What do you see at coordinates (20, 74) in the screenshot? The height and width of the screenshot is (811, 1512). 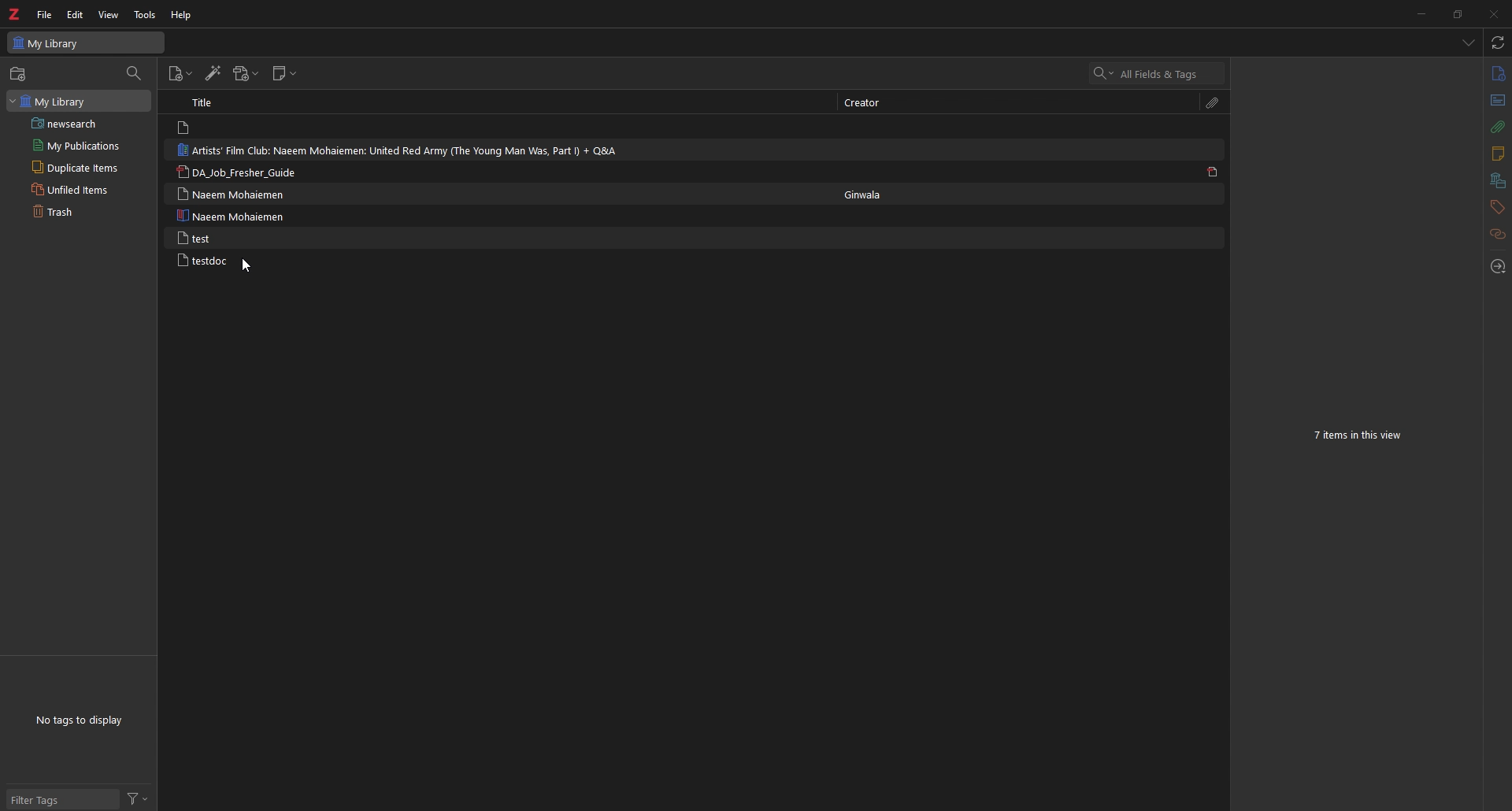 I see `new collection` at bounding box center [20, 74].